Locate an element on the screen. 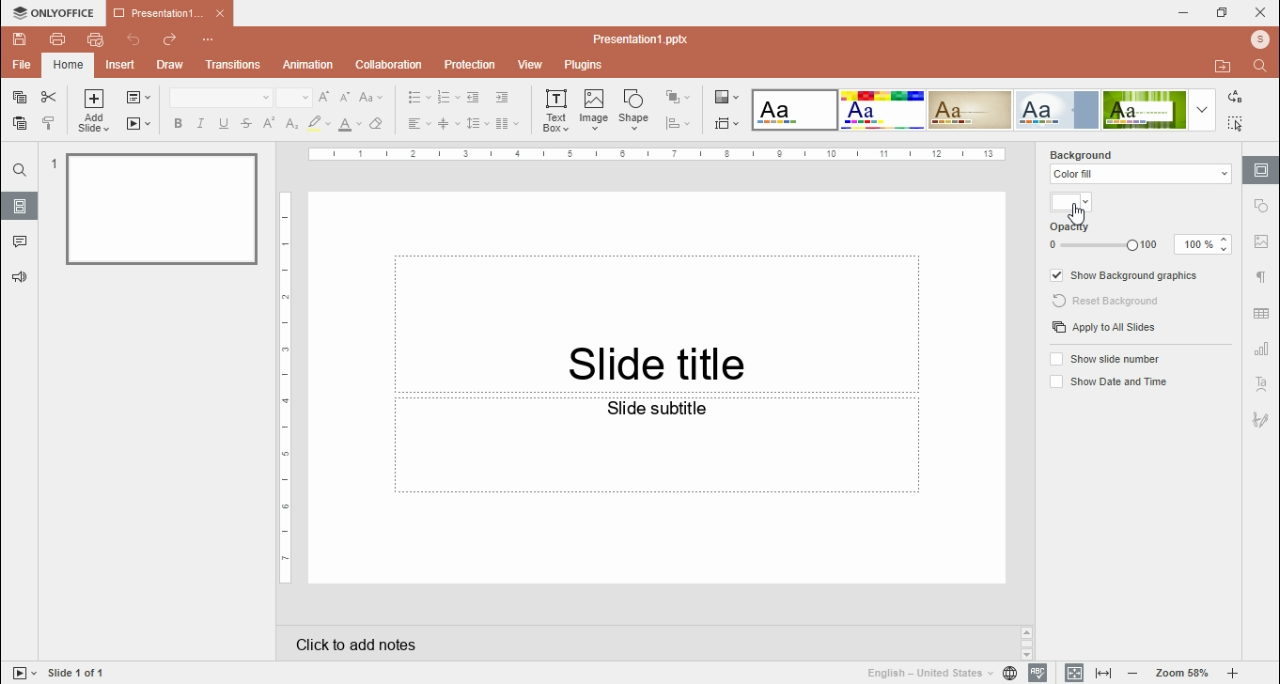 Image resolution: width=1280 pixels, height=684 pixels. insert columns is located at coordinates (507, 124).